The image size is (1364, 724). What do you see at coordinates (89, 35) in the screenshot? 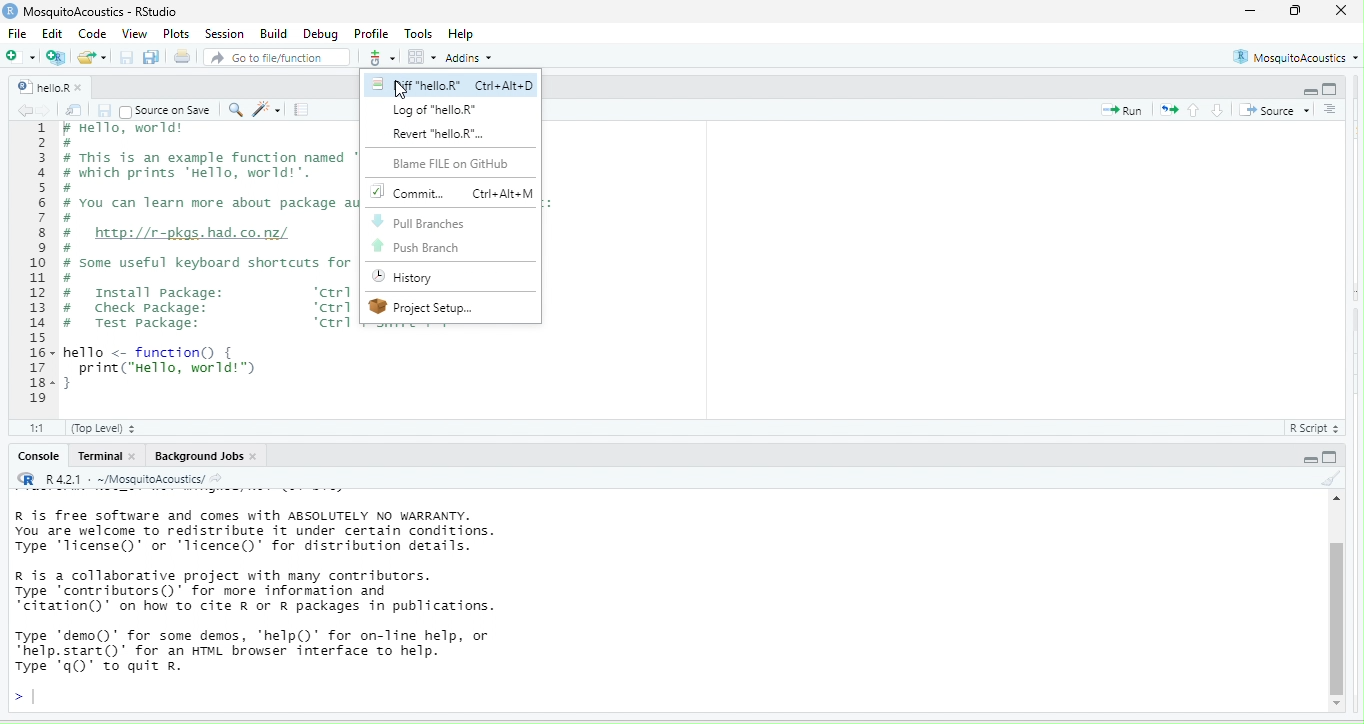
I see `Code` at bounding box center [89, 35].